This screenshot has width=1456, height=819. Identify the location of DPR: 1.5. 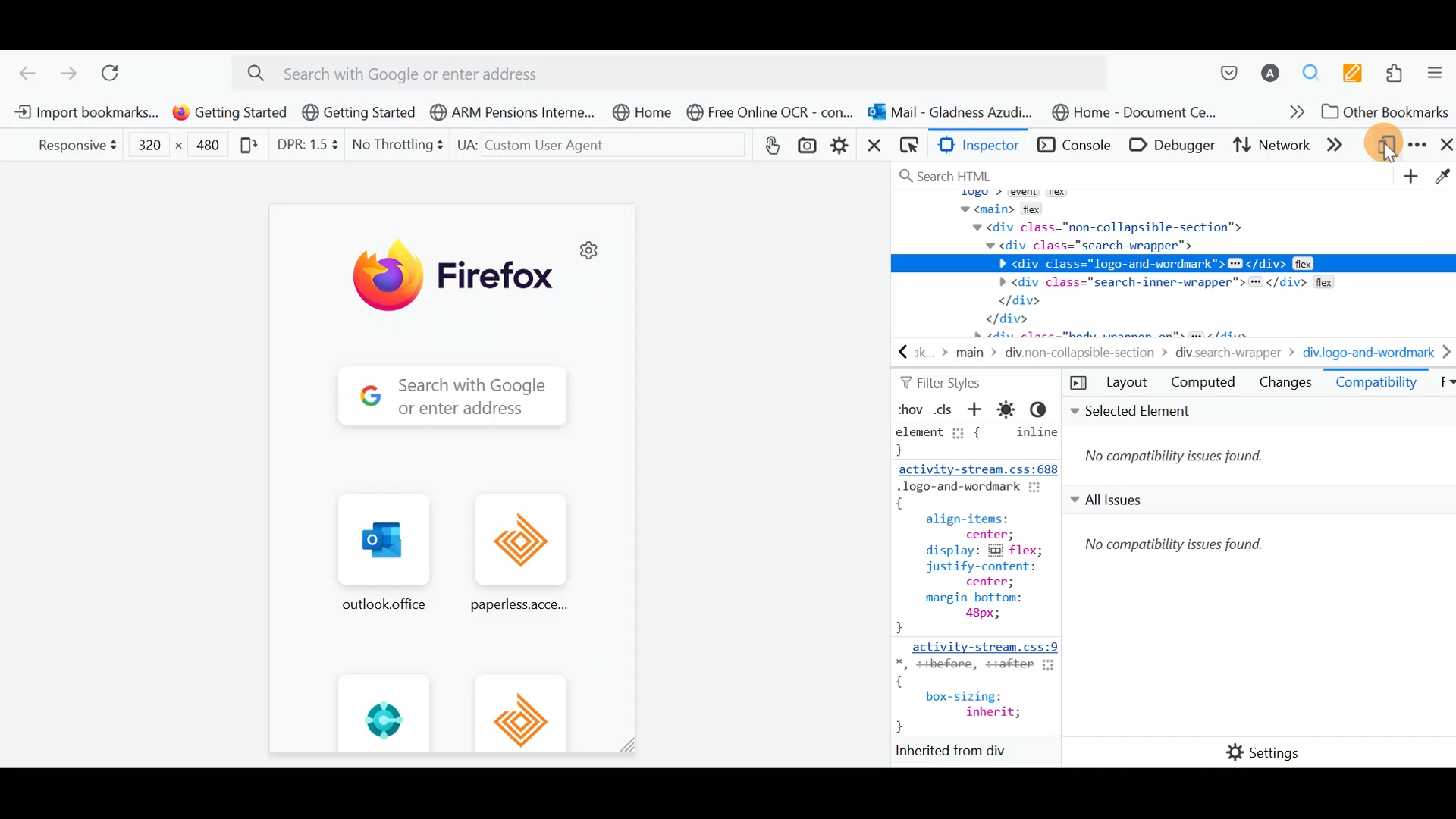
(303, 145).